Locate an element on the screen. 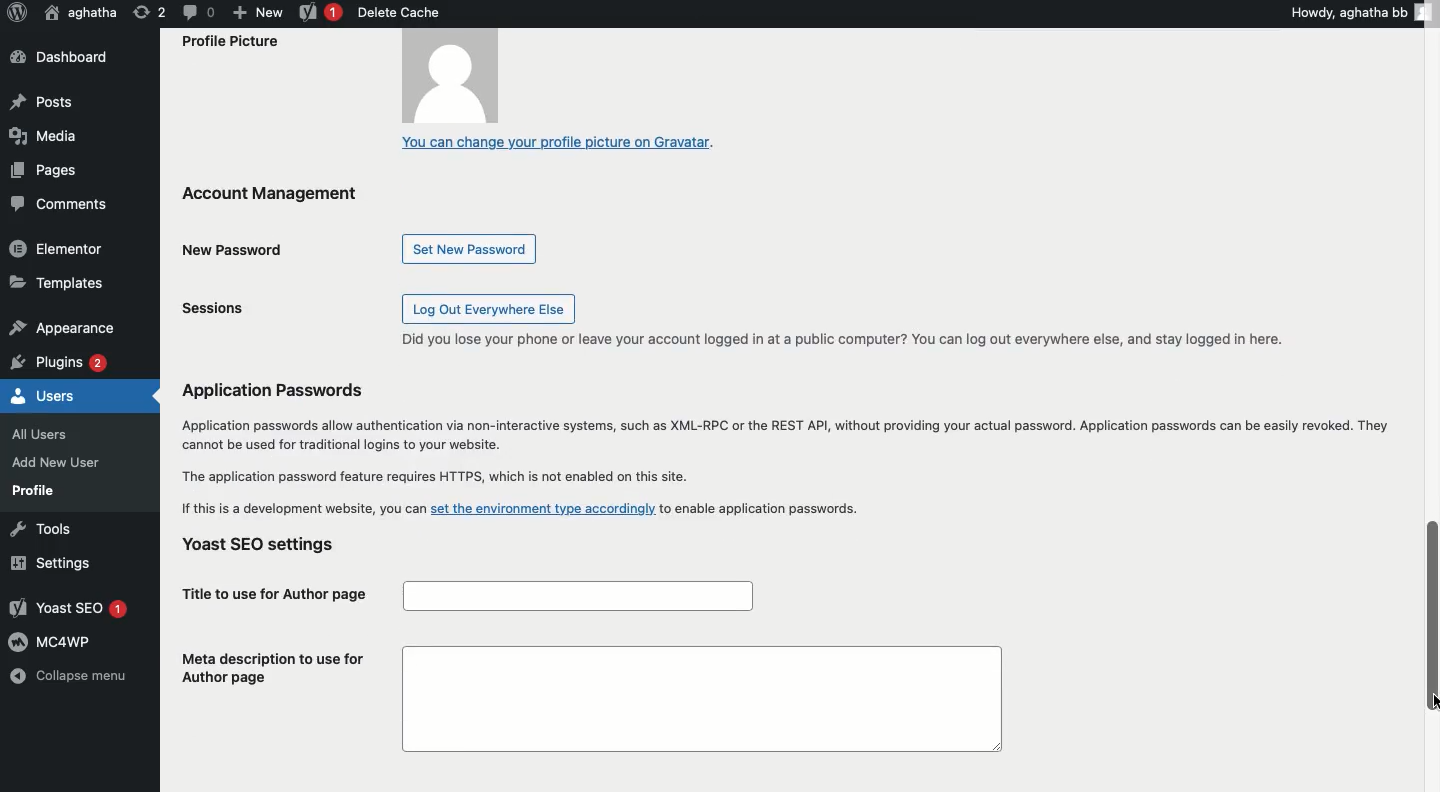 The width and height of the screenshot is (1440, 792). Dashboard is located at coordinates (68, 58).